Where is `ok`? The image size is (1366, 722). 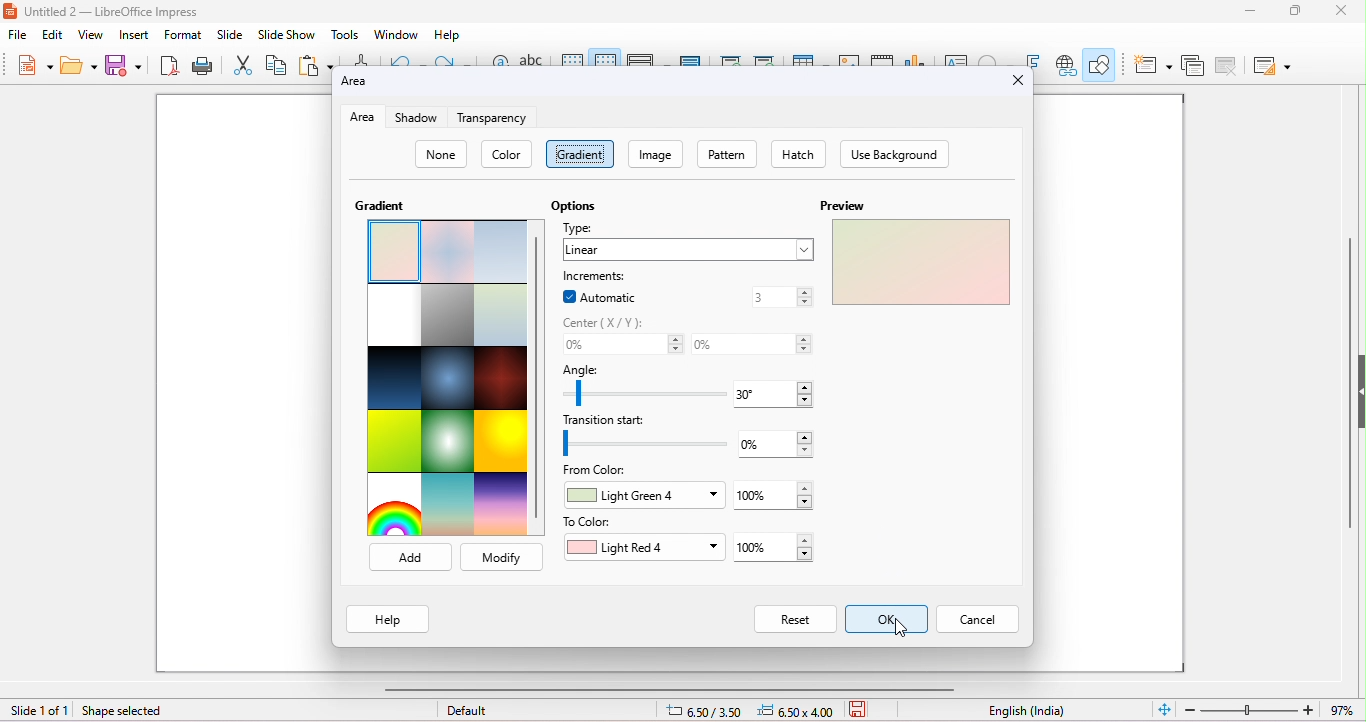
ok is located at coordinates (888, 619).